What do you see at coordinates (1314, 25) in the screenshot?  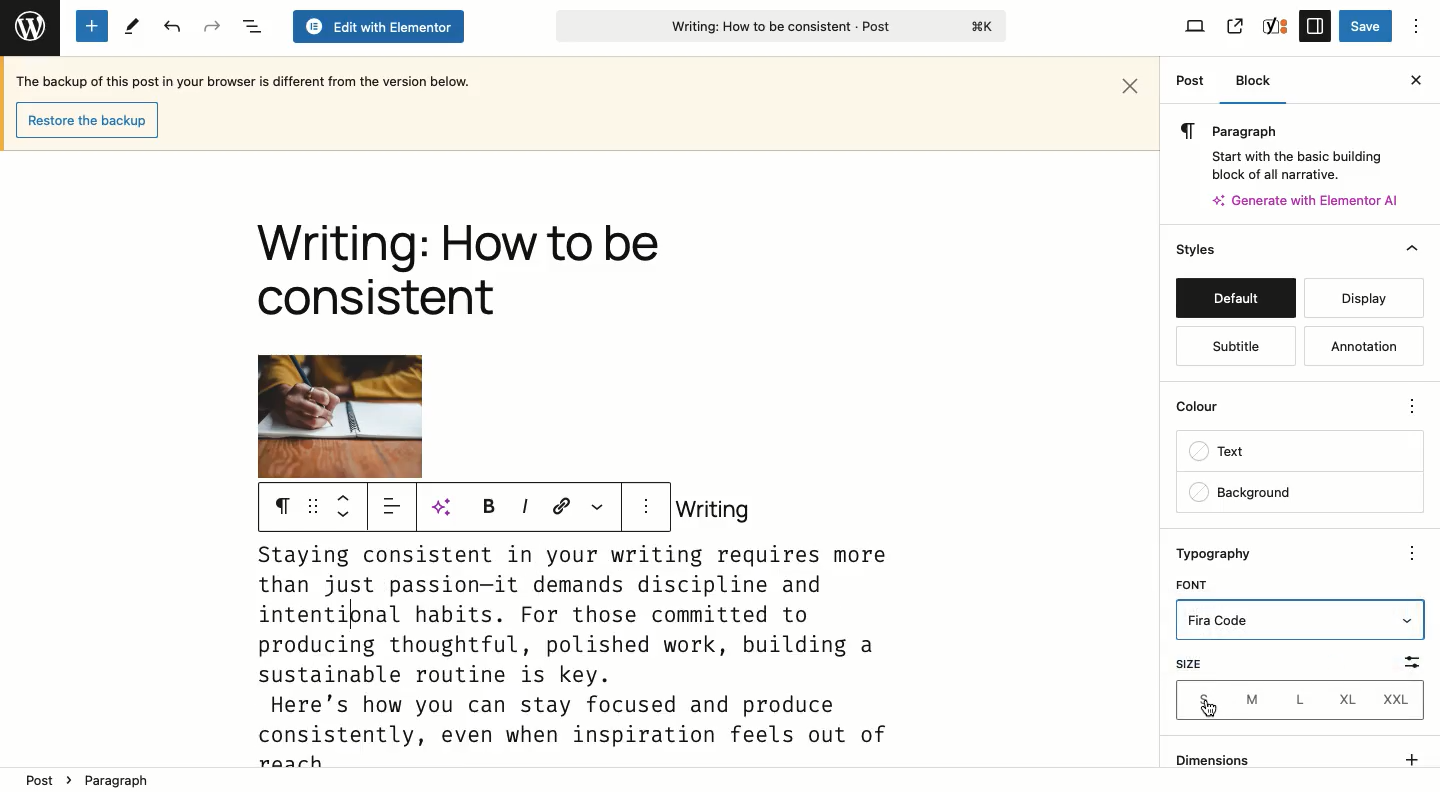 I see `Settings` at bounding box center [1314, 25].